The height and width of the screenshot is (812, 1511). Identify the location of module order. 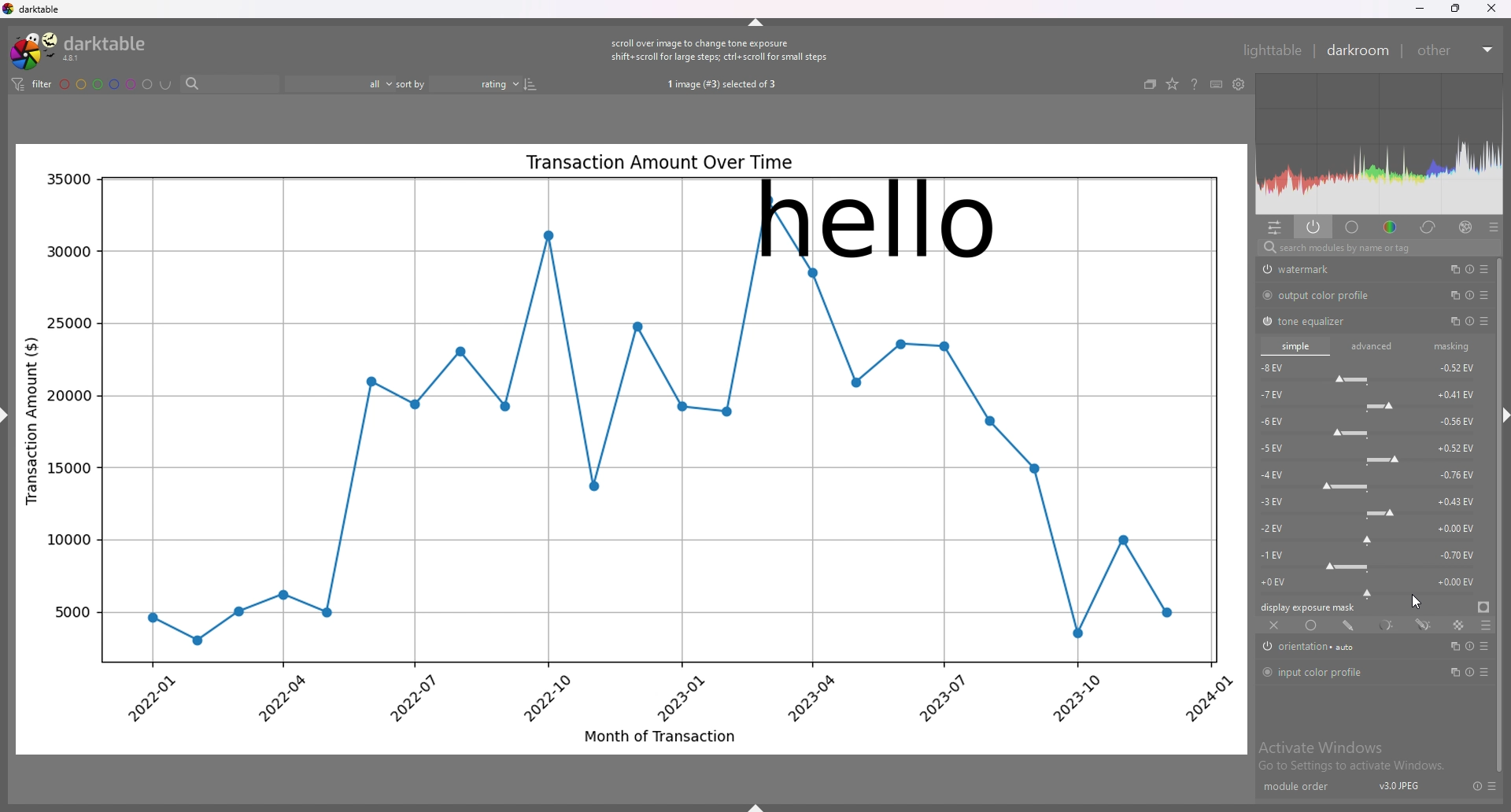
(1299, 787).